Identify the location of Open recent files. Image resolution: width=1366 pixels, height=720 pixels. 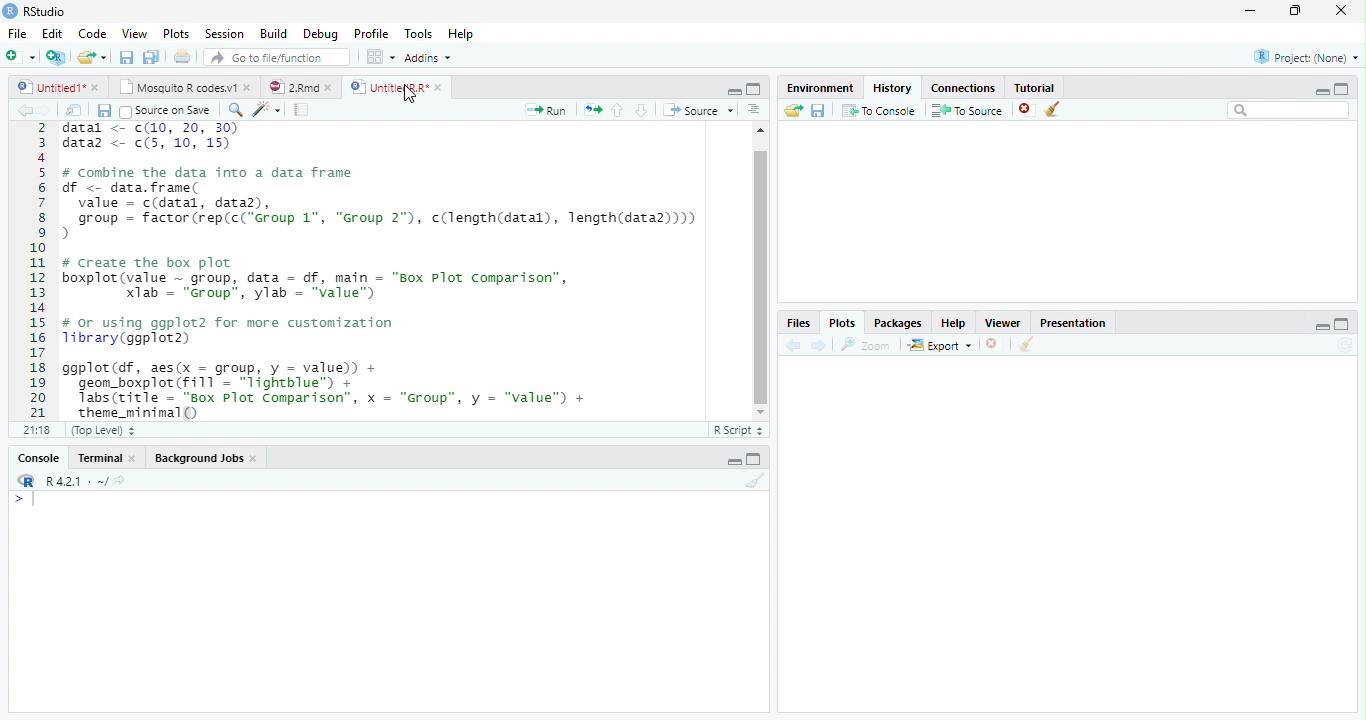
(103, 57).